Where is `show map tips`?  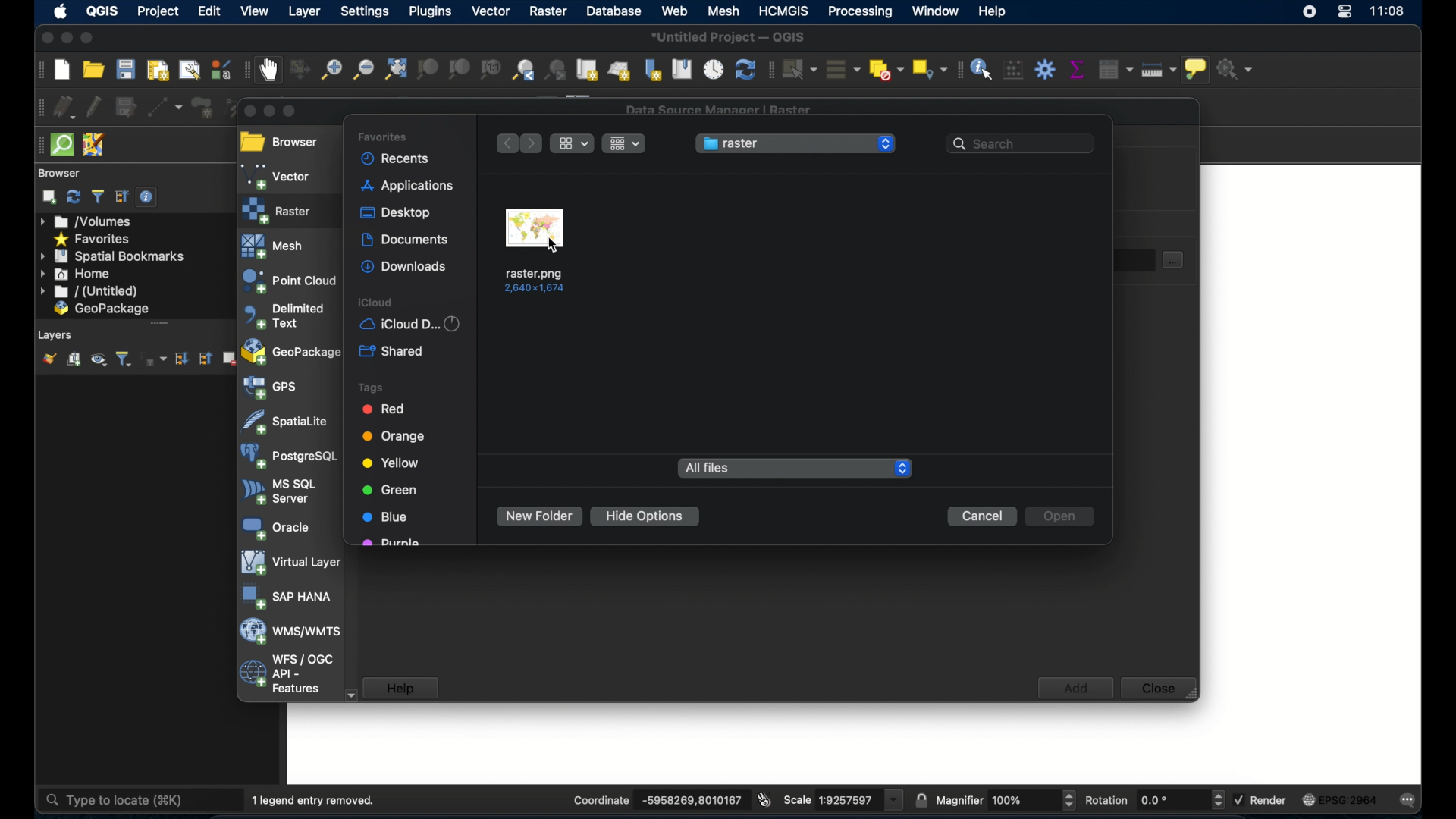 show map tips is located at coordinates (1197, 71).